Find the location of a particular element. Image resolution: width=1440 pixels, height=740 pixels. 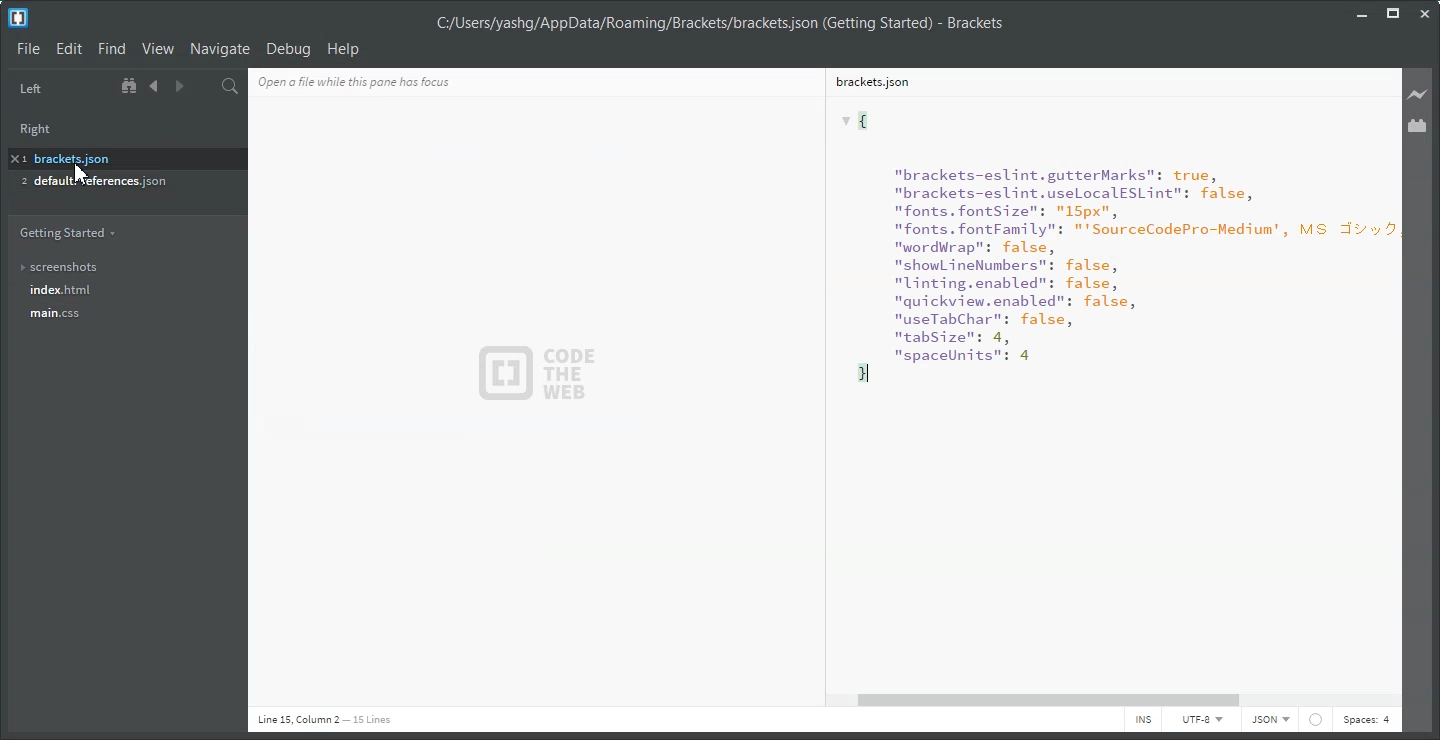

Find is located at coordinates (111, 49).